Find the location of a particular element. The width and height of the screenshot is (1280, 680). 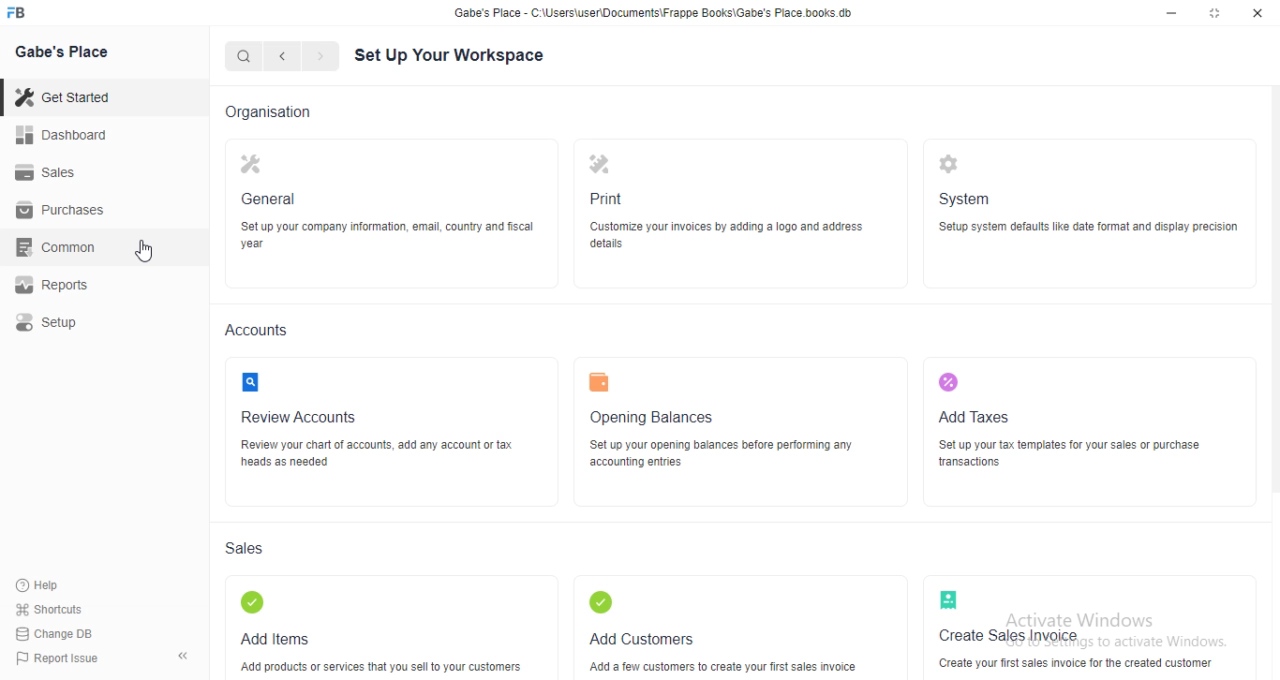

maximize is located at coordinates (1217, 14).